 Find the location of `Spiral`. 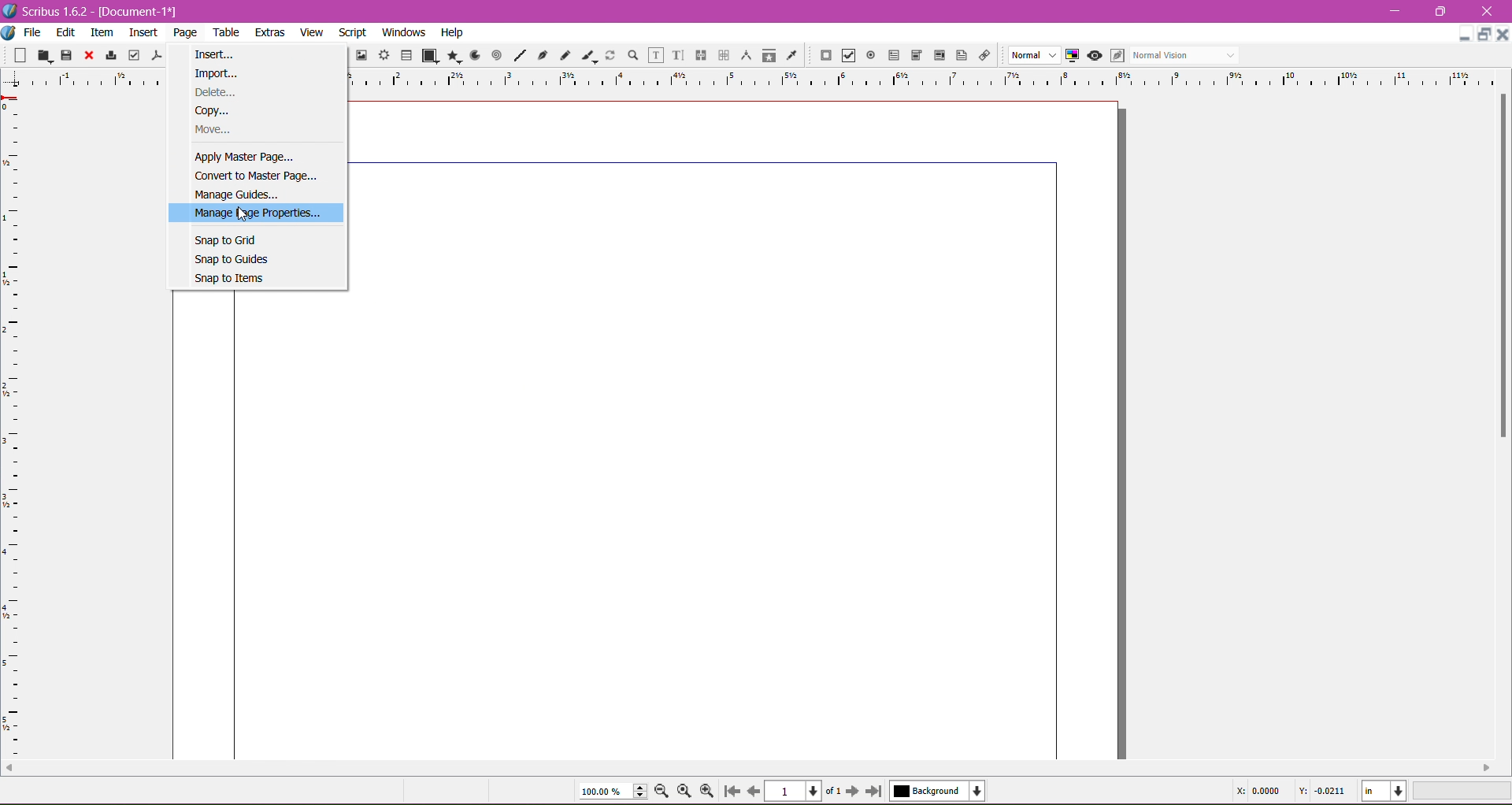

Spiral is located at coordinates (496, 56).